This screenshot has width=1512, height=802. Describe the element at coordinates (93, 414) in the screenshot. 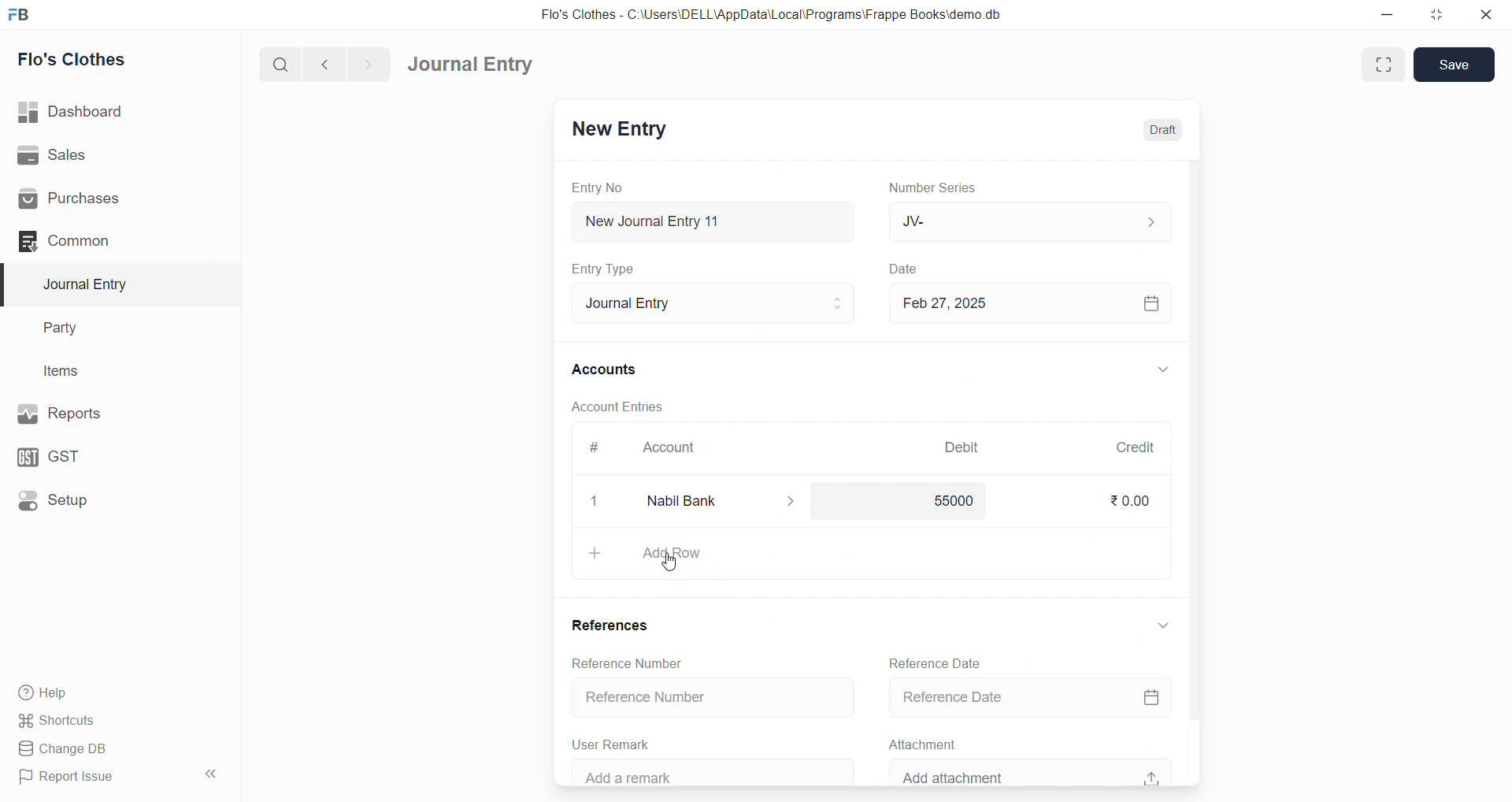

I see `Reports` at that location.